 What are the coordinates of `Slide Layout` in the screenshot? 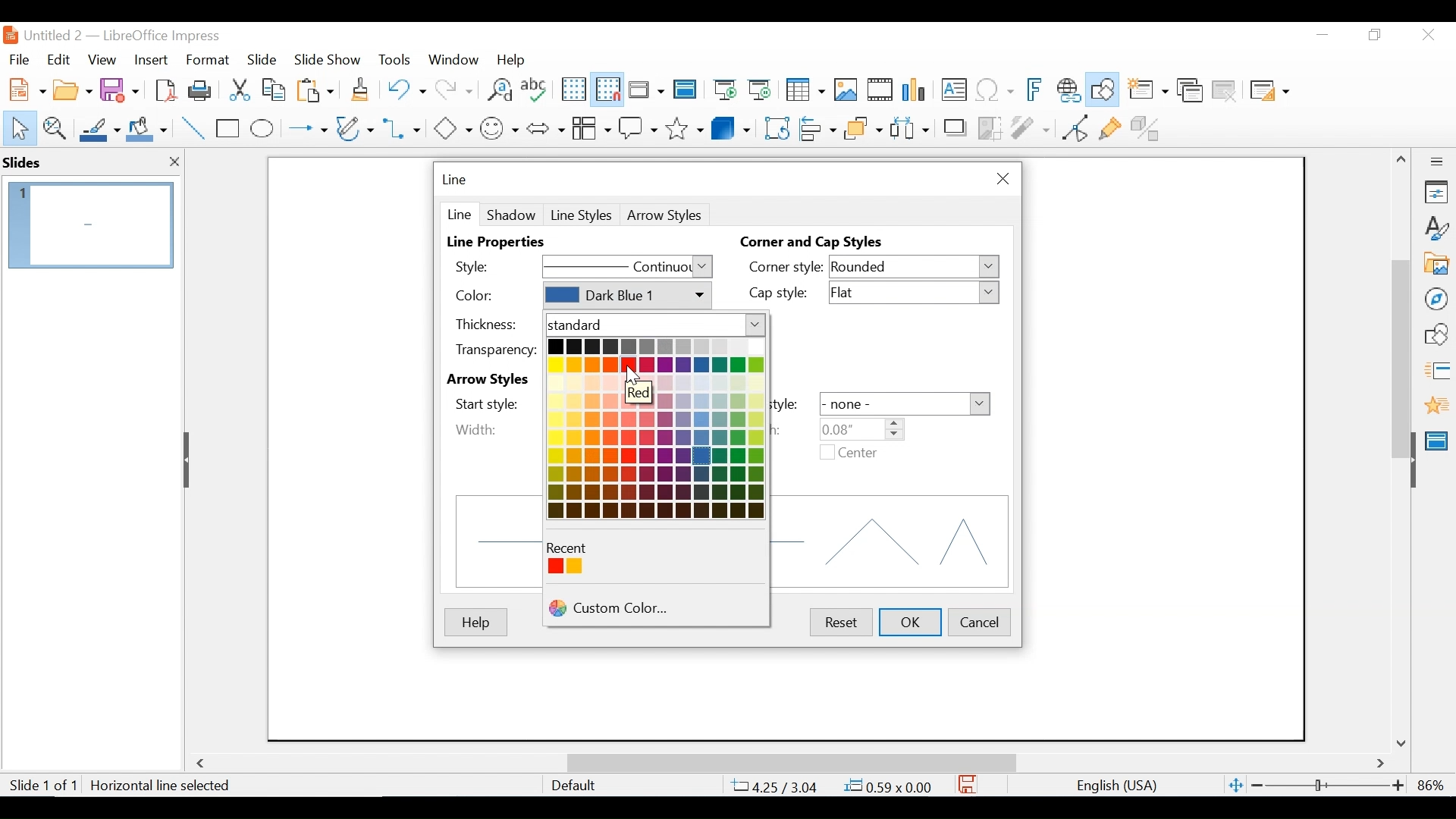 It's located at (1268, 92).